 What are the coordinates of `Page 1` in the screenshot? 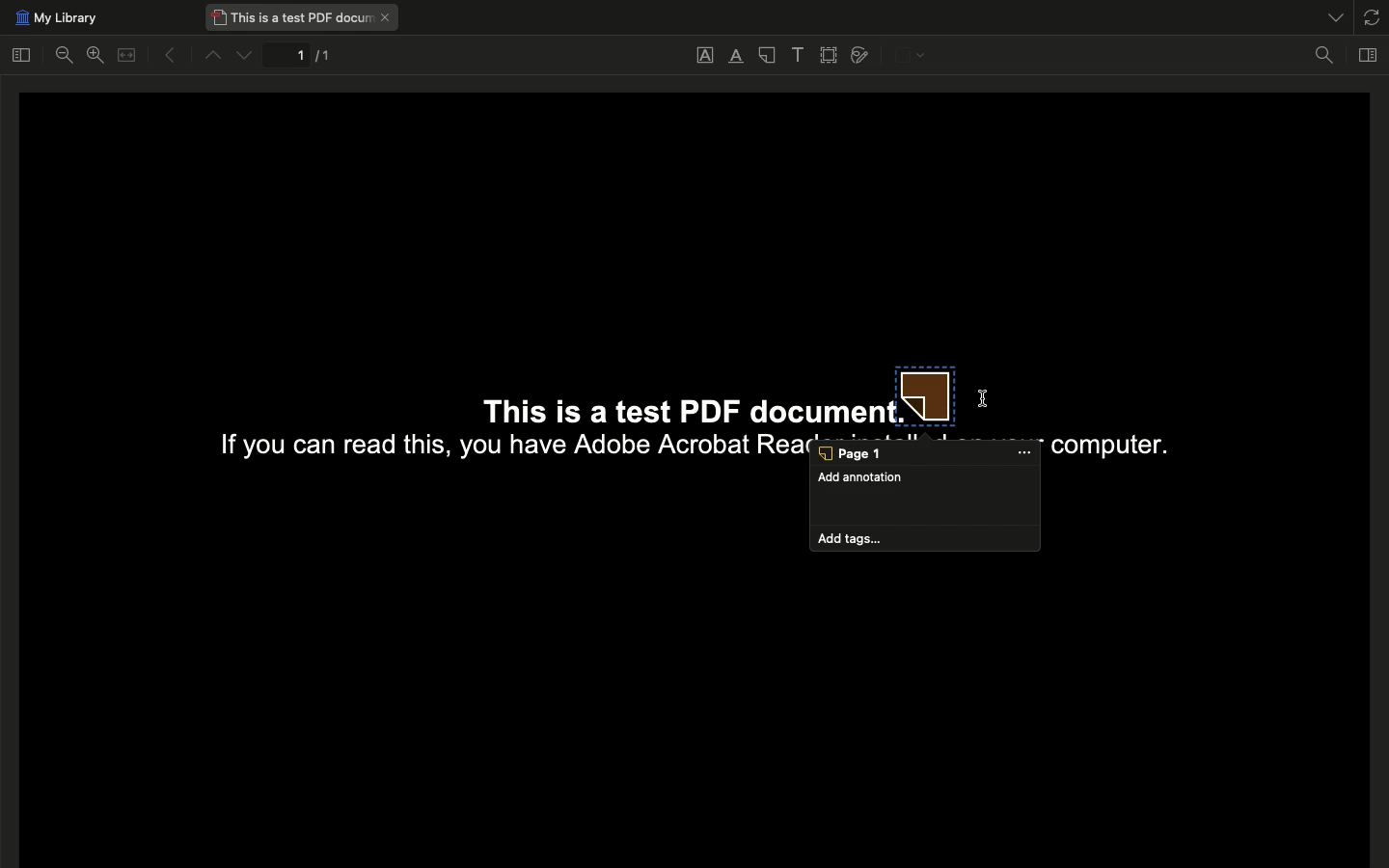 It's located at (925, 455).